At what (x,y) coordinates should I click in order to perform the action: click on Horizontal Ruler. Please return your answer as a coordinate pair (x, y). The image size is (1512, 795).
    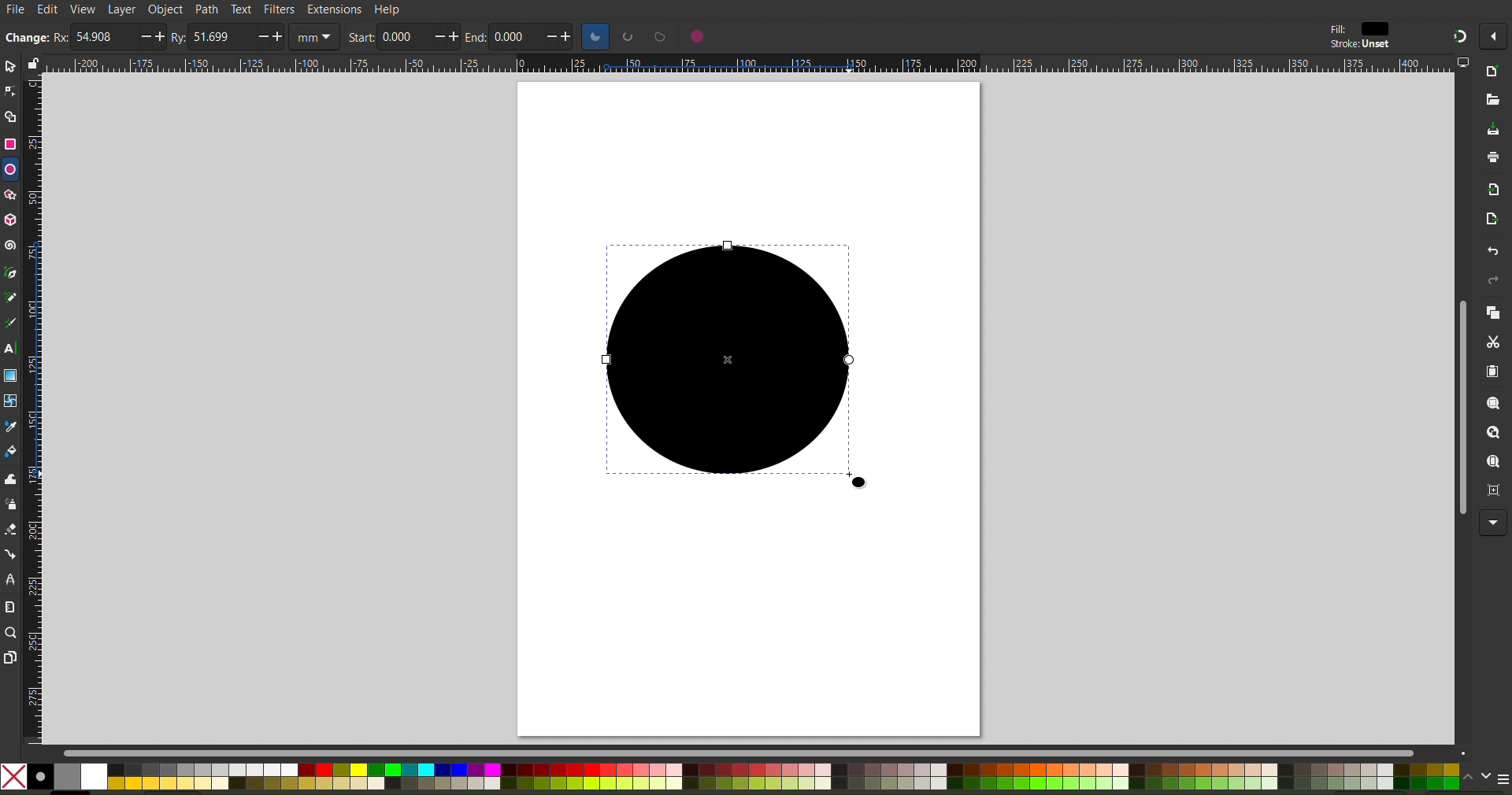
    Looking at the image, I should click on (749, 65).